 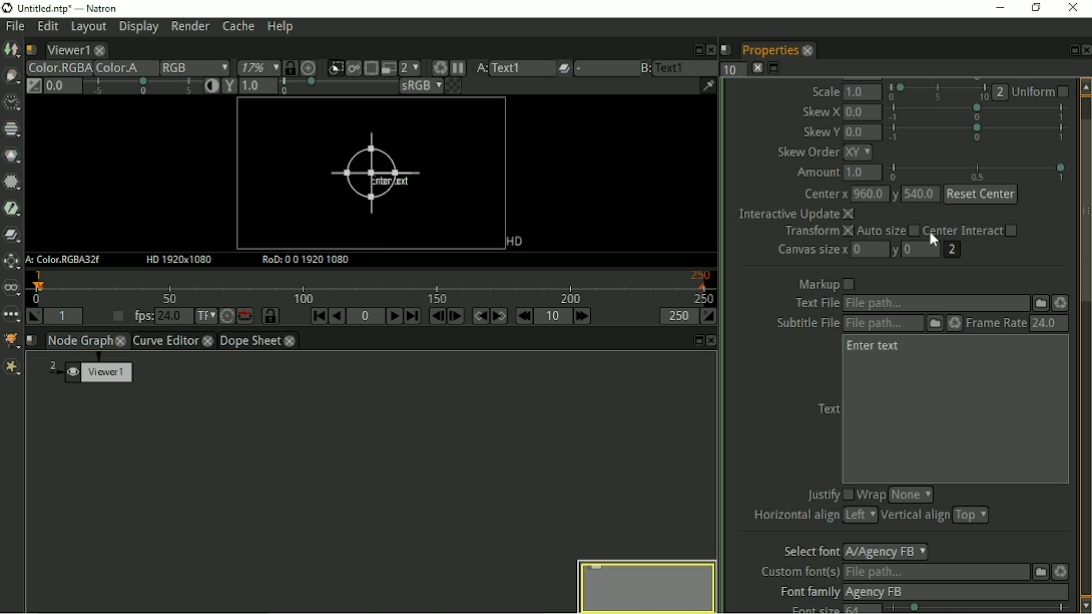 What do you see at coordinates (395, 316) in the screenshot?
I see `Play forward` at bounding box center [395, 316].